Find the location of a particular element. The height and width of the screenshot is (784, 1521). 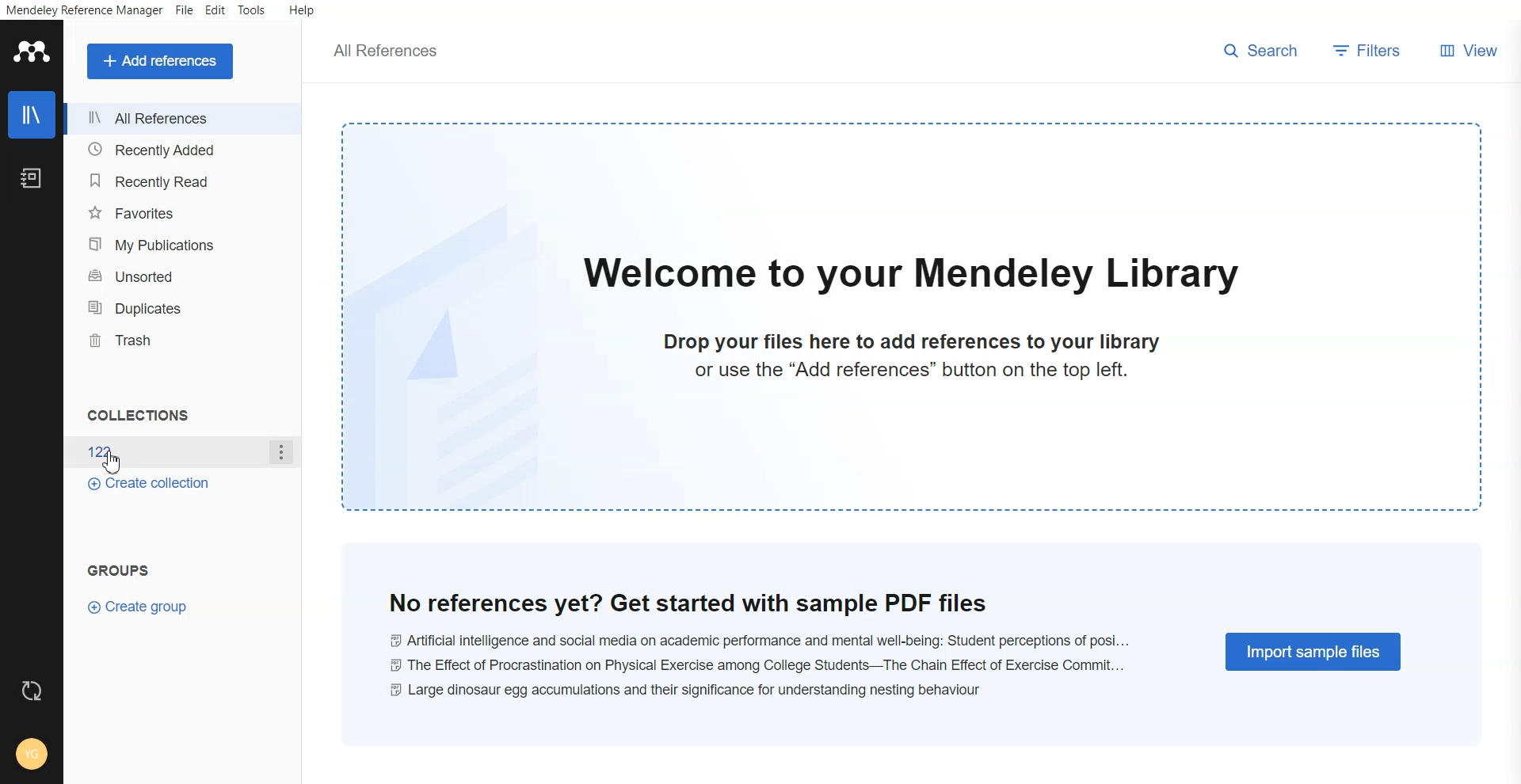

Trash is located at coordinates (185, 339).